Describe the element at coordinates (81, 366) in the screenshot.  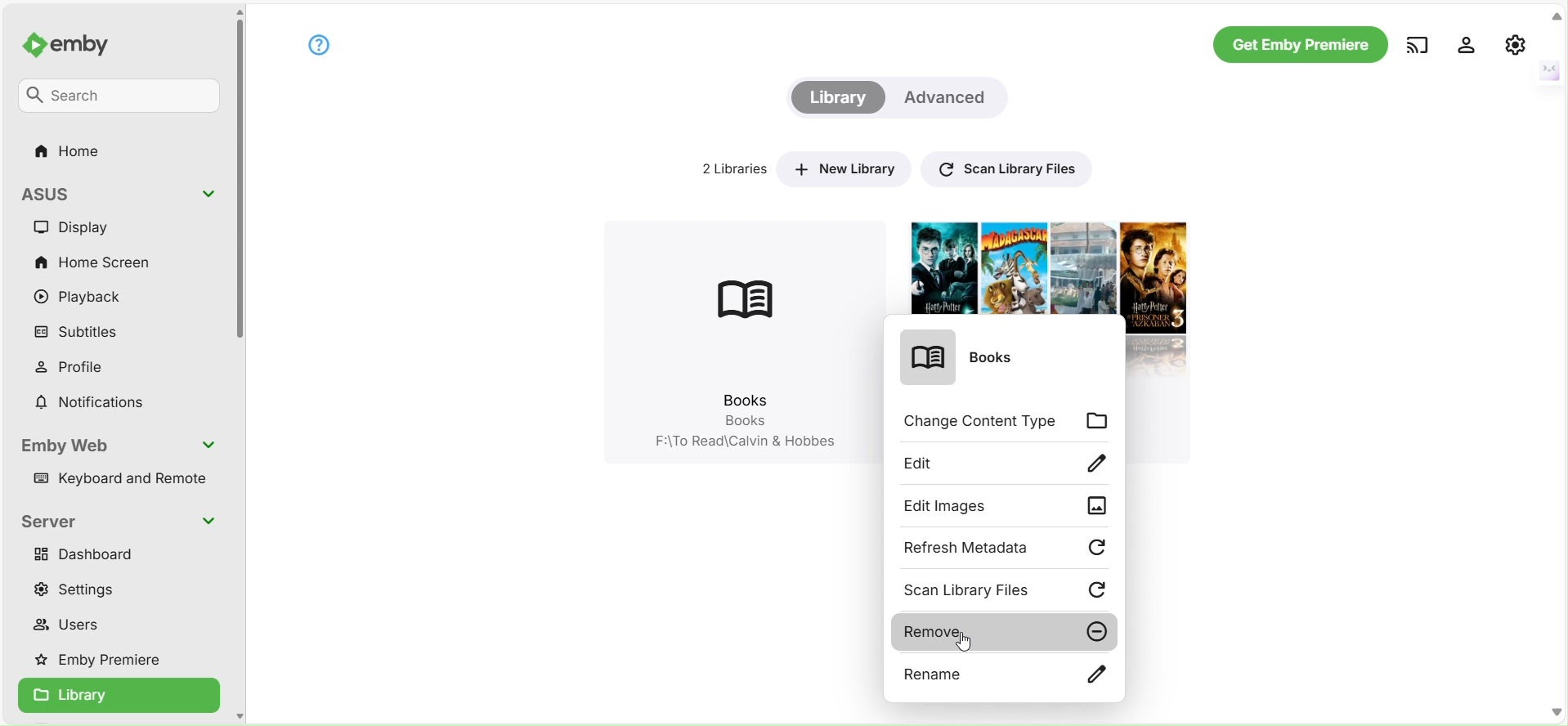
I see `Profile` at that location.